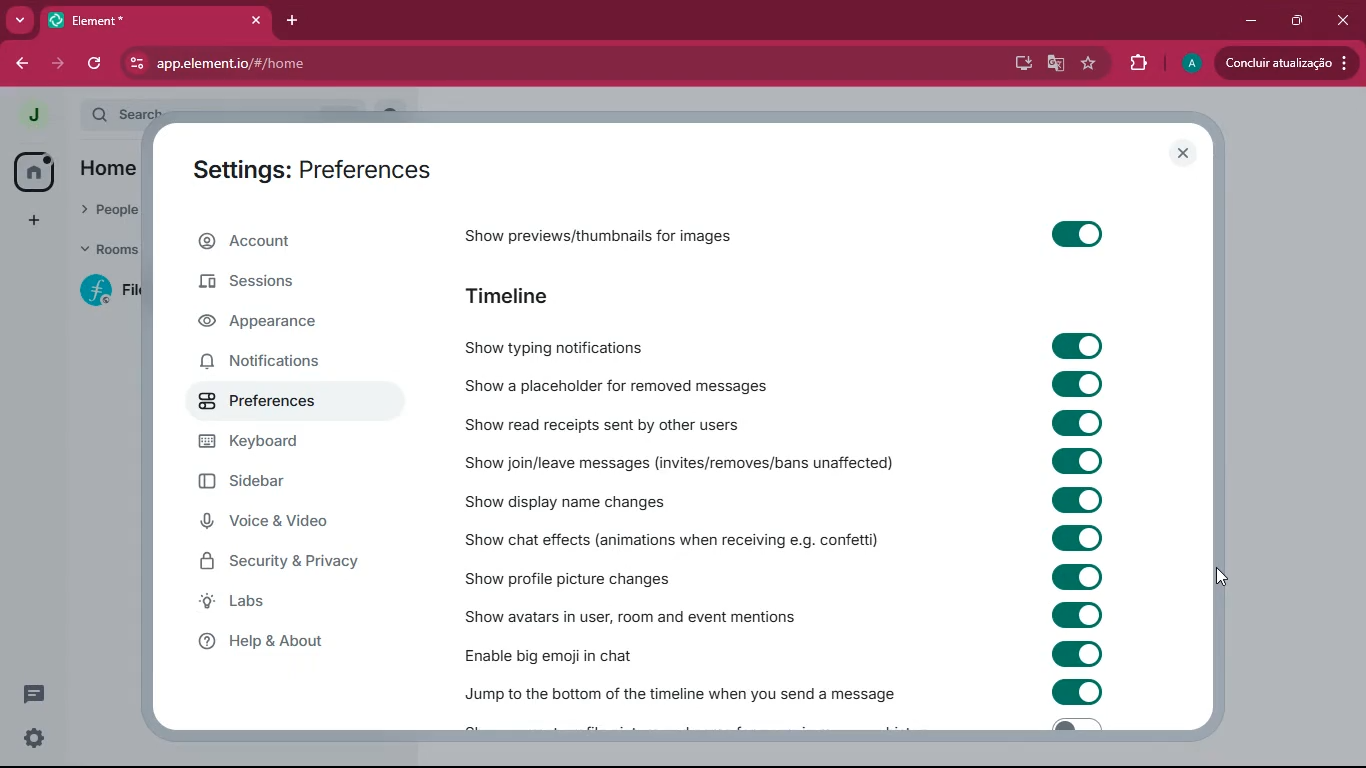 Image resolution: width=1366 pixels, height=768 pixels. I want to click on appearance, so click(283, 324).